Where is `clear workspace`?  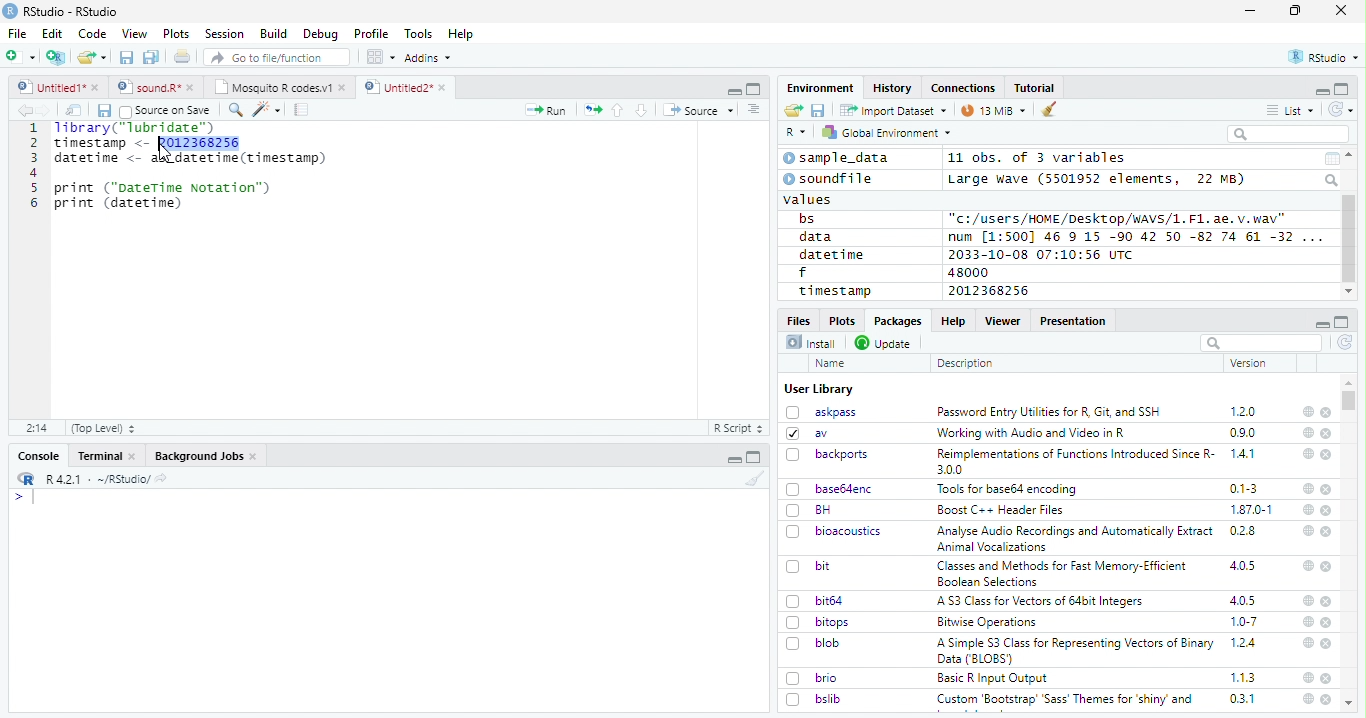 clear workspace is located at coordinates (751, 478).